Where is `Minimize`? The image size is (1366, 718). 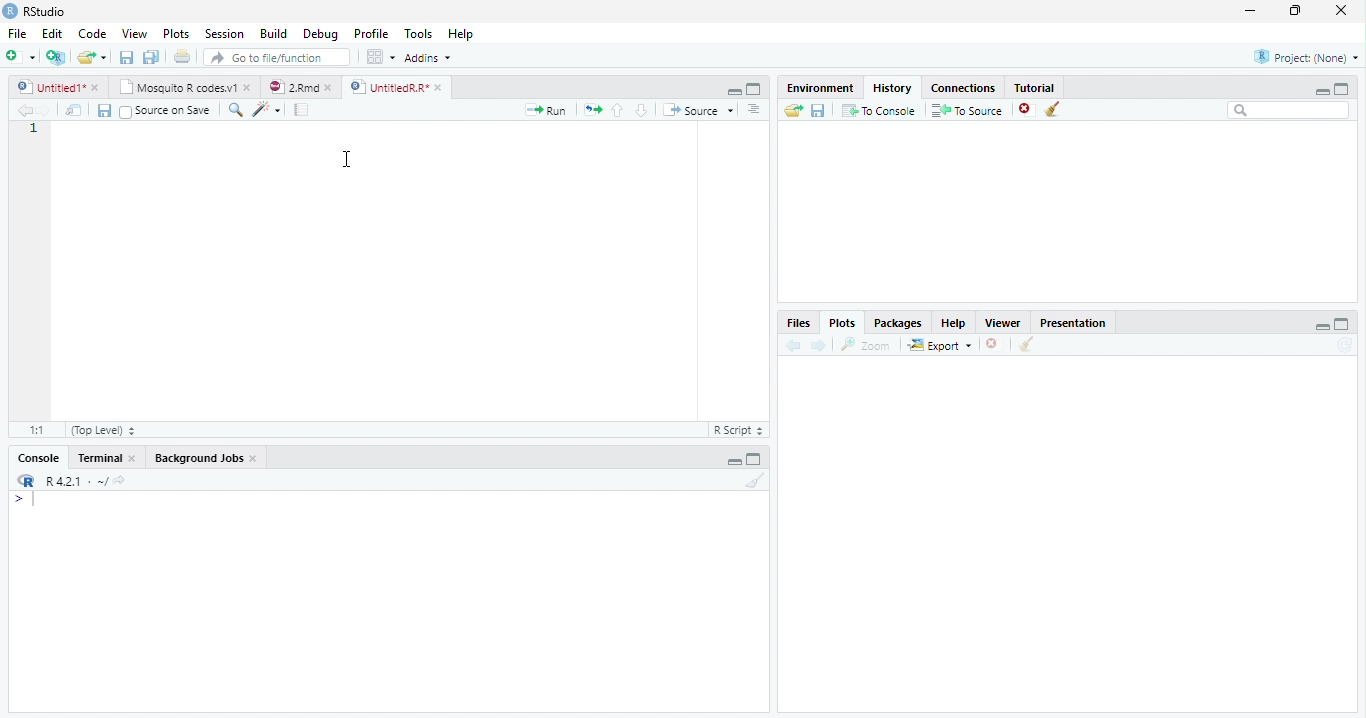 Minimize is located at coordinates (731, 460).